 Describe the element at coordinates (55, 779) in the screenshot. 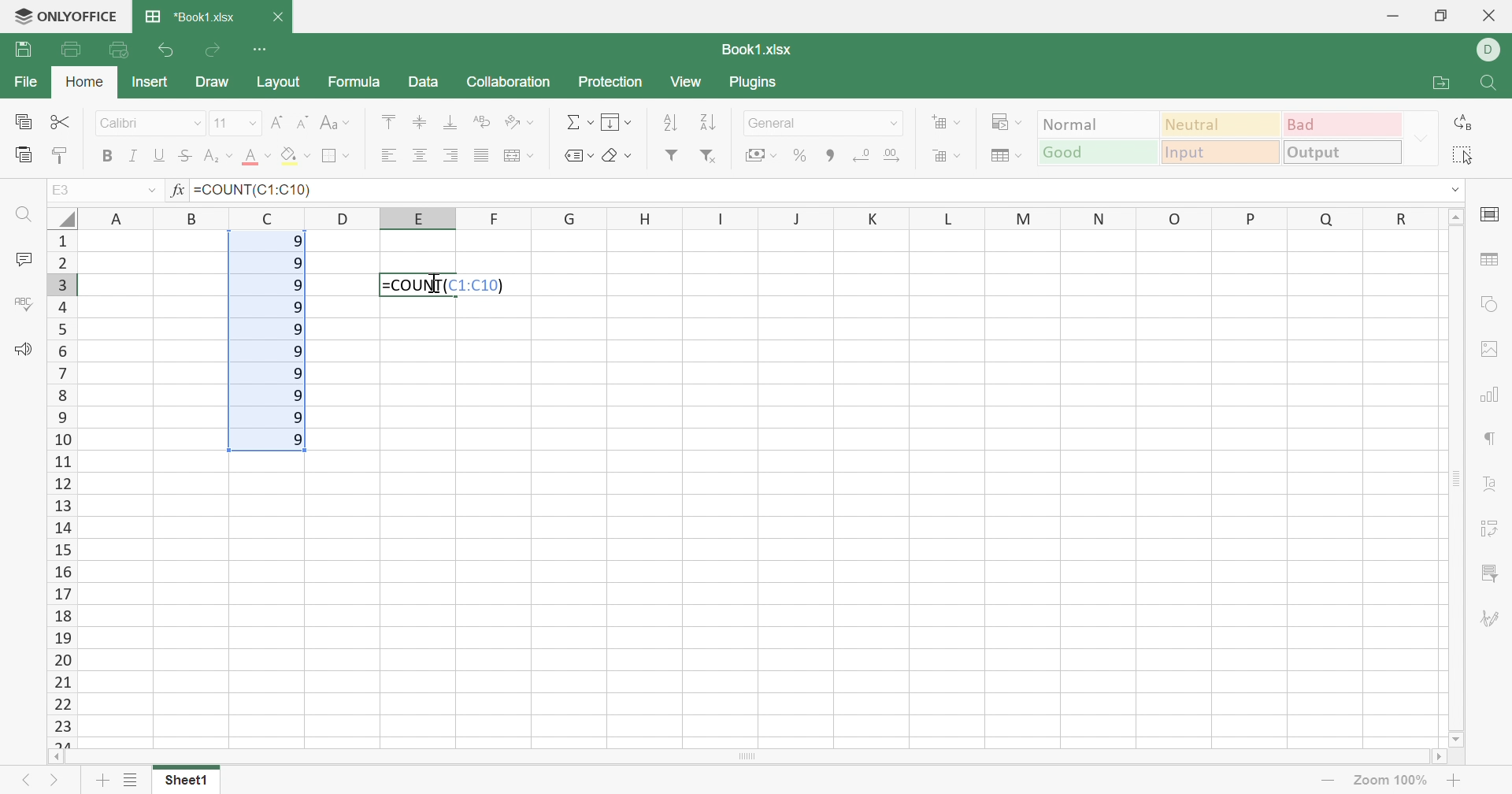

I see `Next` at that location.